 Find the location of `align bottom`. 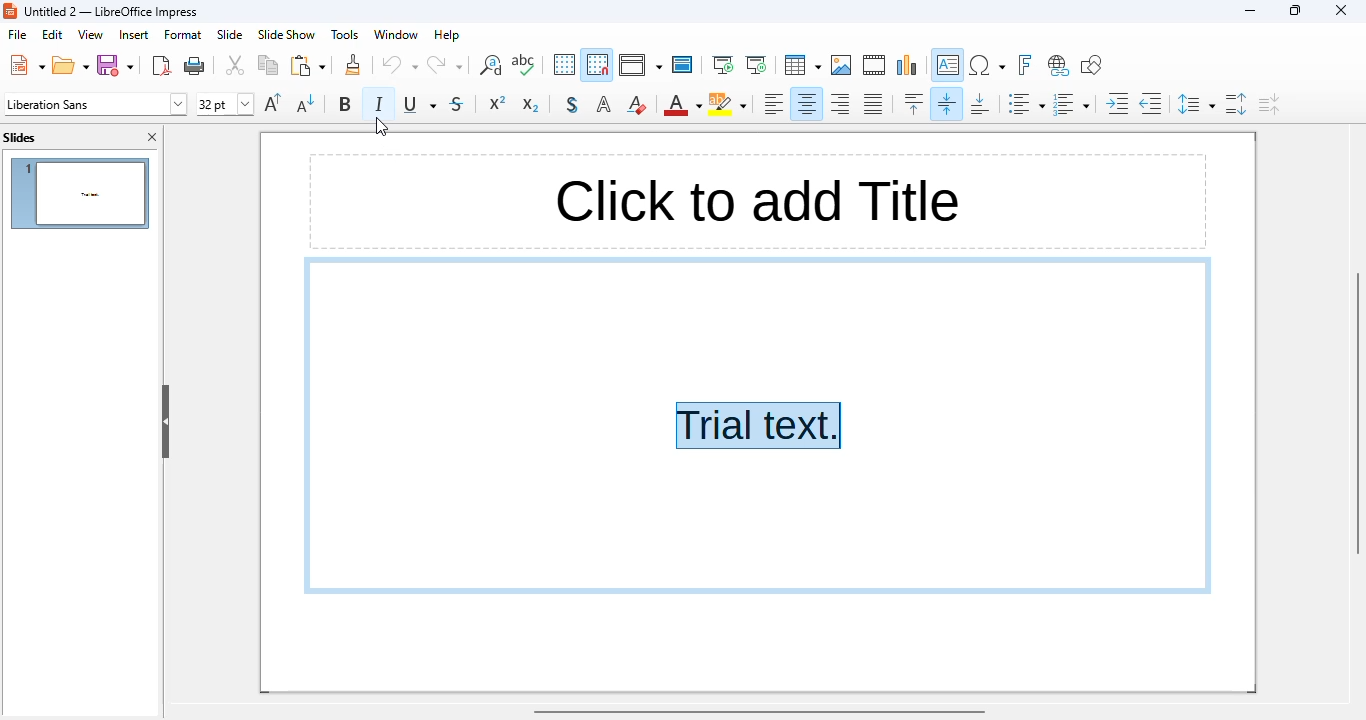

align bottom is located at coordinates (983, 103).